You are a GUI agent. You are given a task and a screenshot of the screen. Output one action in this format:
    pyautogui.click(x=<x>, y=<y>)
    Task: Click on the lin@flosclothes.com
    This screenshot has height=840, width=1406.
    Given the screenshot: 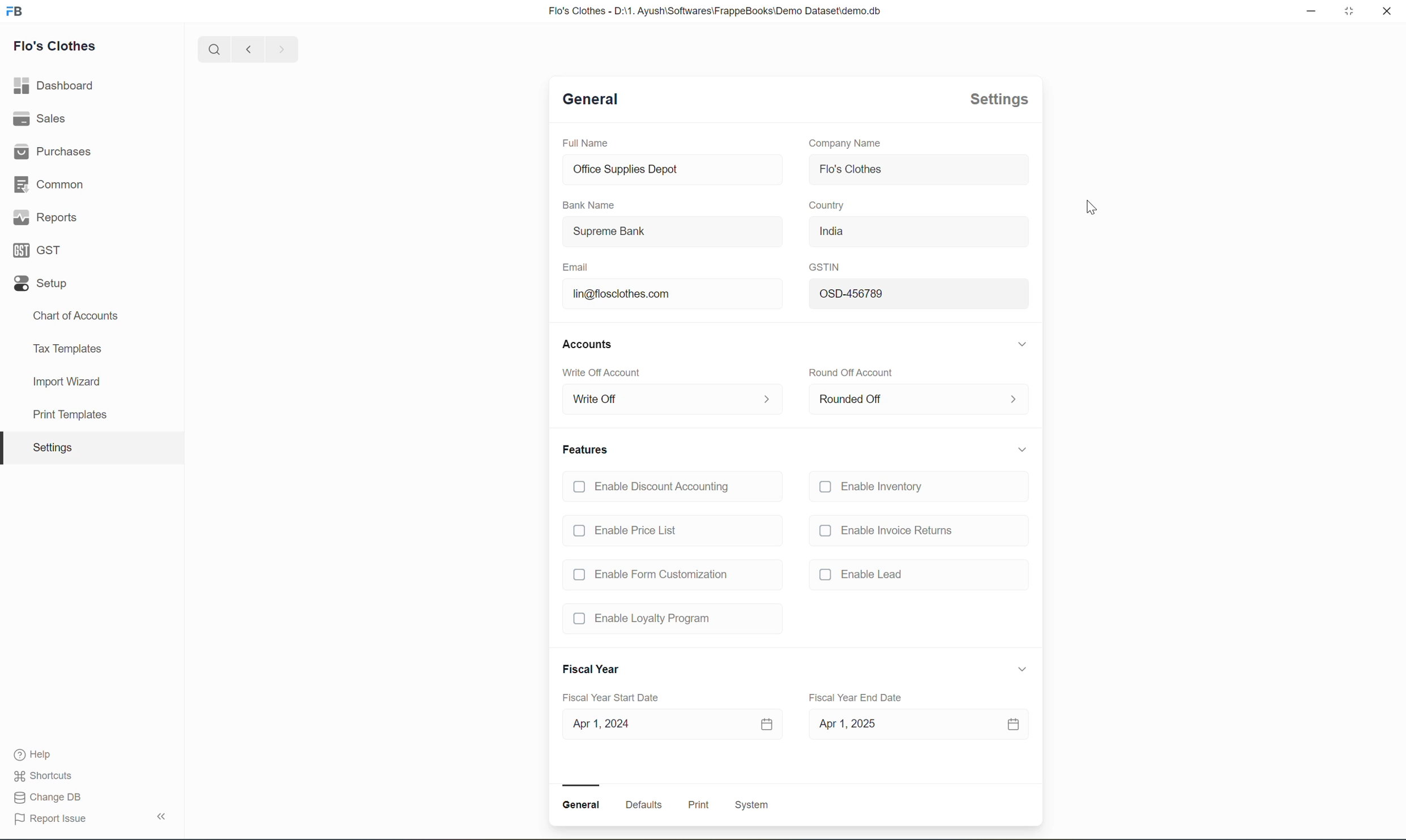 What is the action you would take?
    pyautogui.click(x=673, y=294)
    